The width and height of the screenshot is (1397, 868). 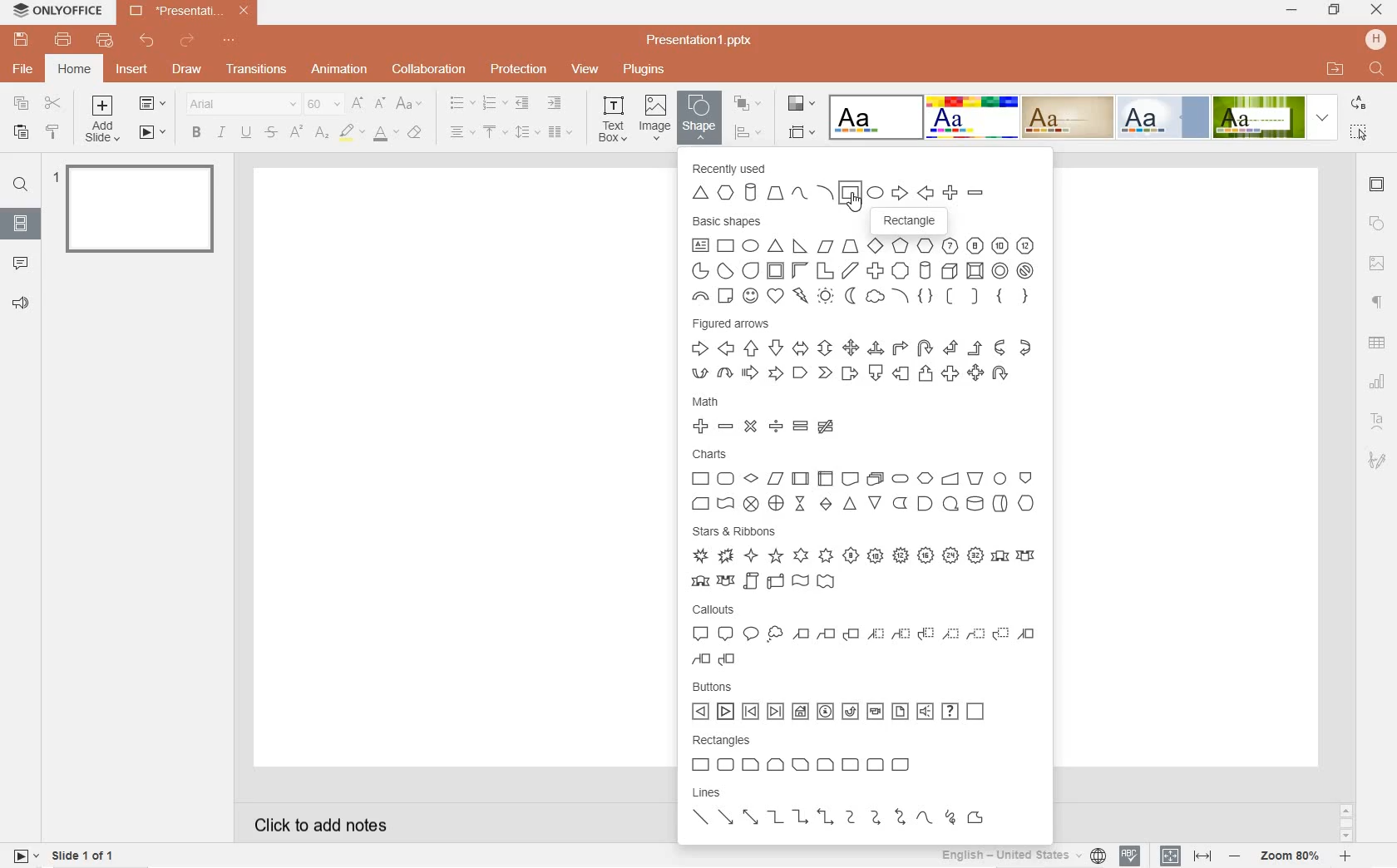 I want to click on numbering, so click(x=493, y=104).